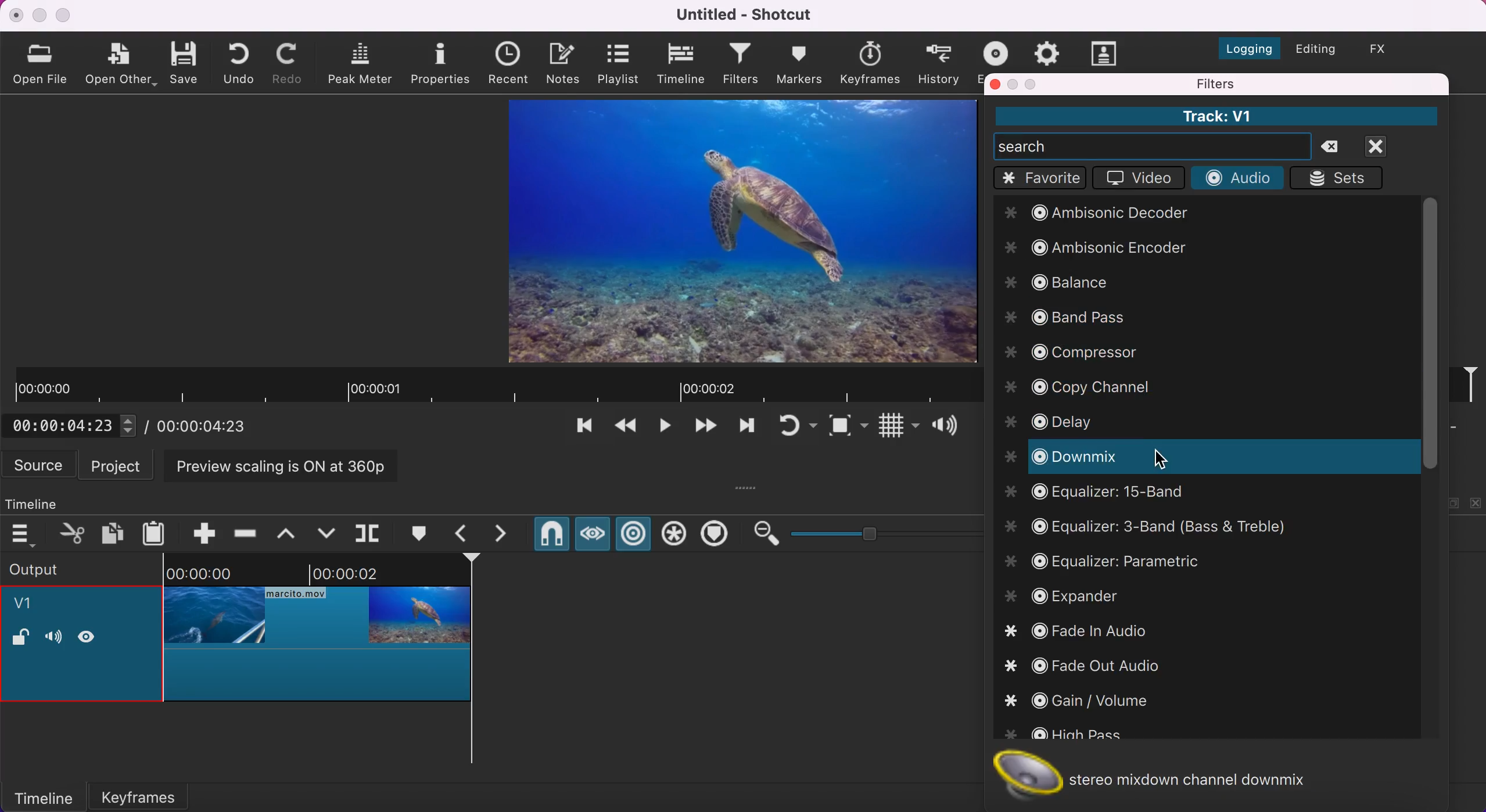  What do you see at coordinates (1243, 45) in the screenshot?
I see `switch to the logging layout` at bounding box center [1243, 45].